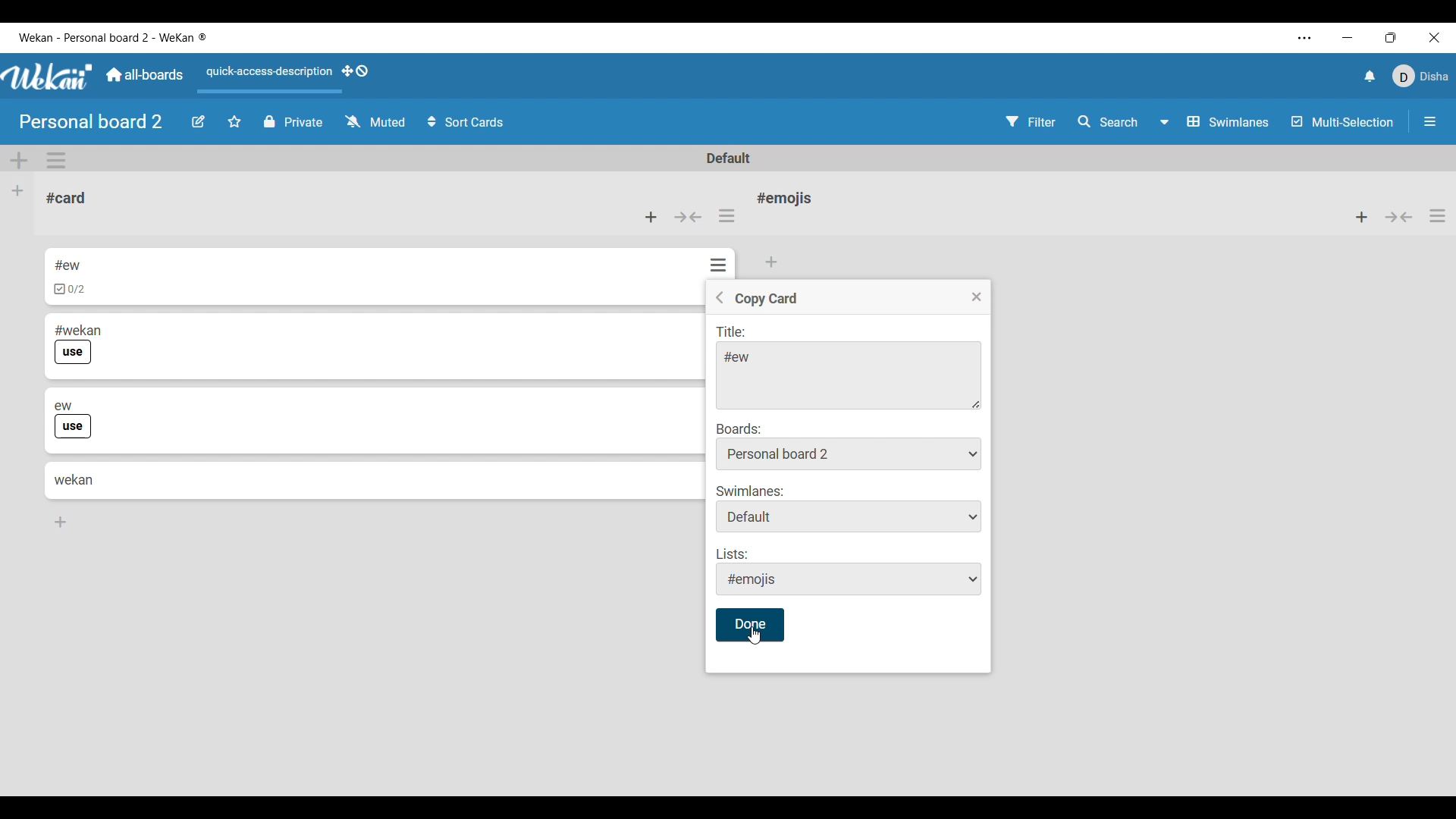 Image resolution: width=1456 pixels, height=819 pixels. I want to click on Edit, so click(198, 122).